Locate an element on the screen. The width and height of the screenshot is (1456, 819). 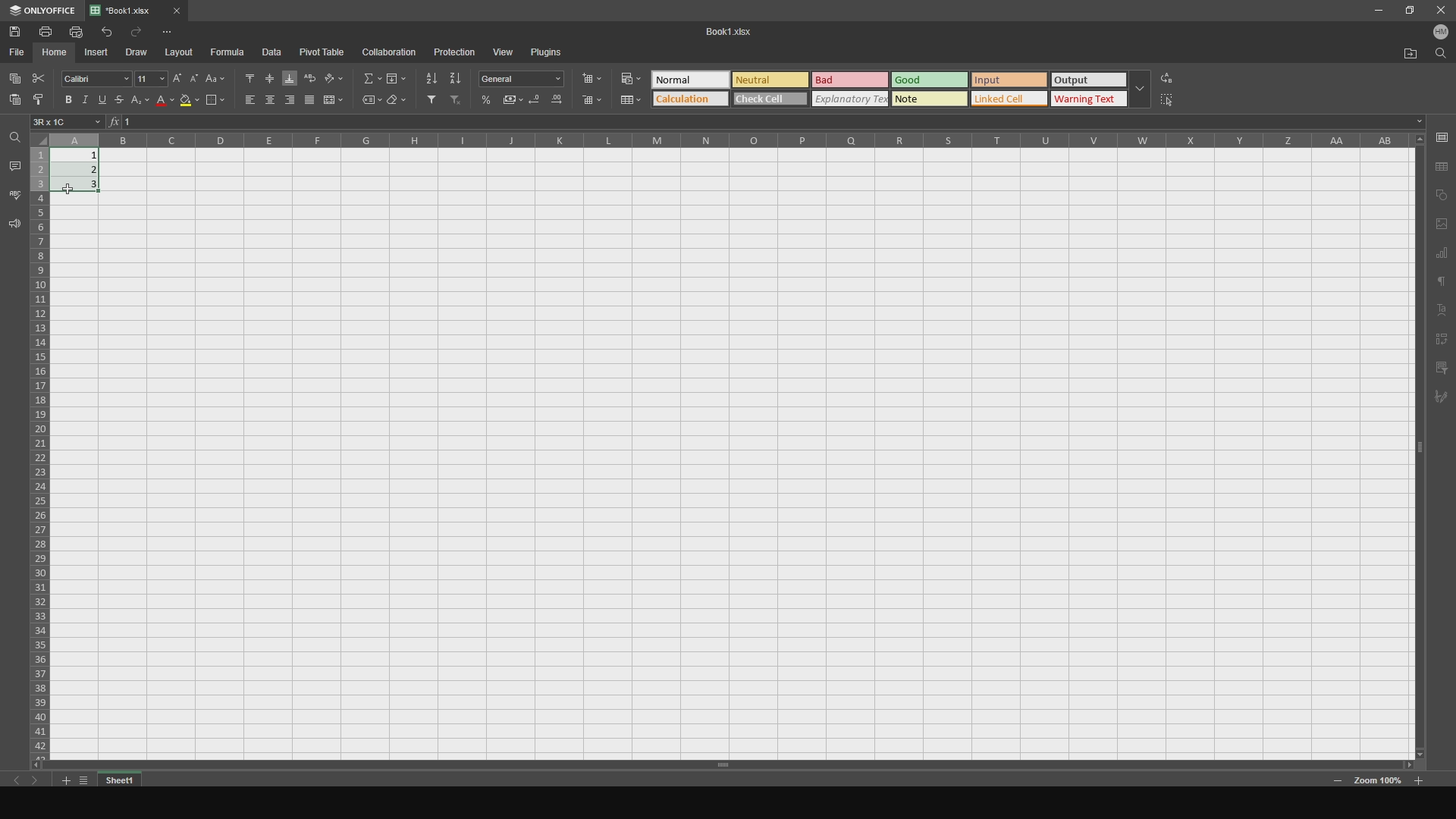
save is located at coordinates (1442, 136).